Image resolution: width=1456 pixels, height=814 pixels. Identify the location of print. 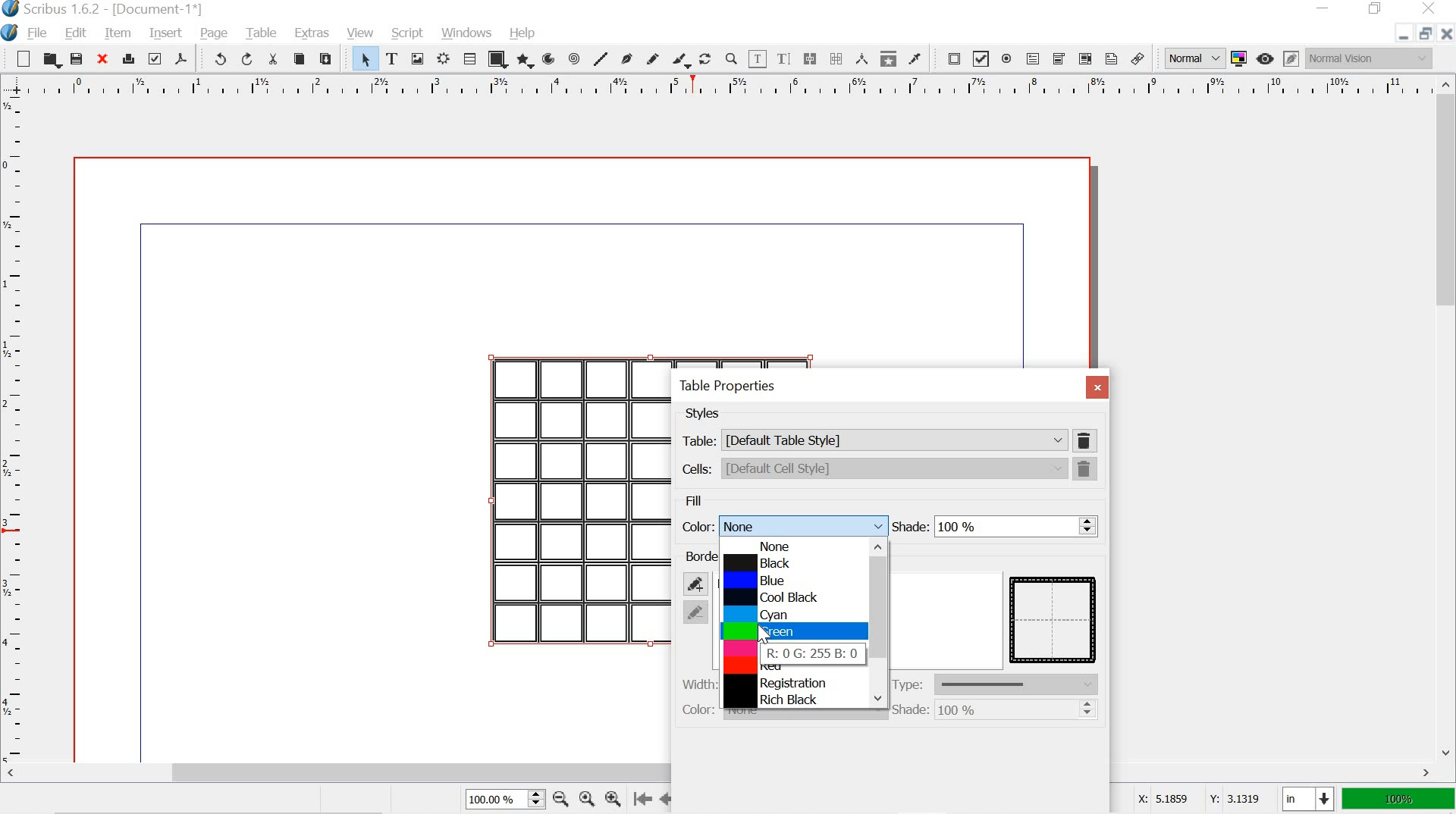
(129, 60).